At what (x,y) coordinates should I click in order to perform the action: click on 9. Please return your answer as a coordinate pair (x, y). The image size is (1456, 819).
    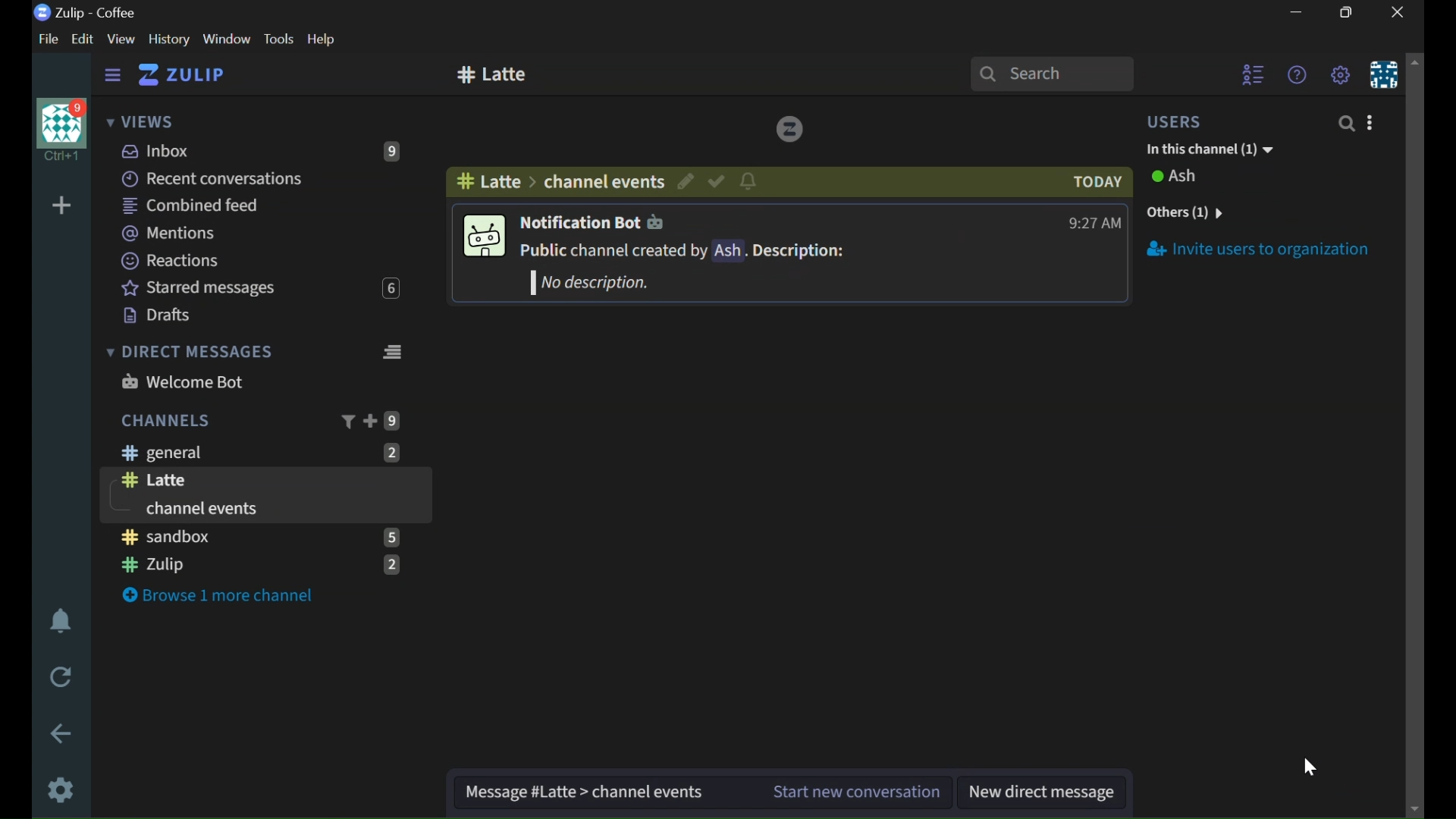
    Looking at the image, I should click on (393, 422).